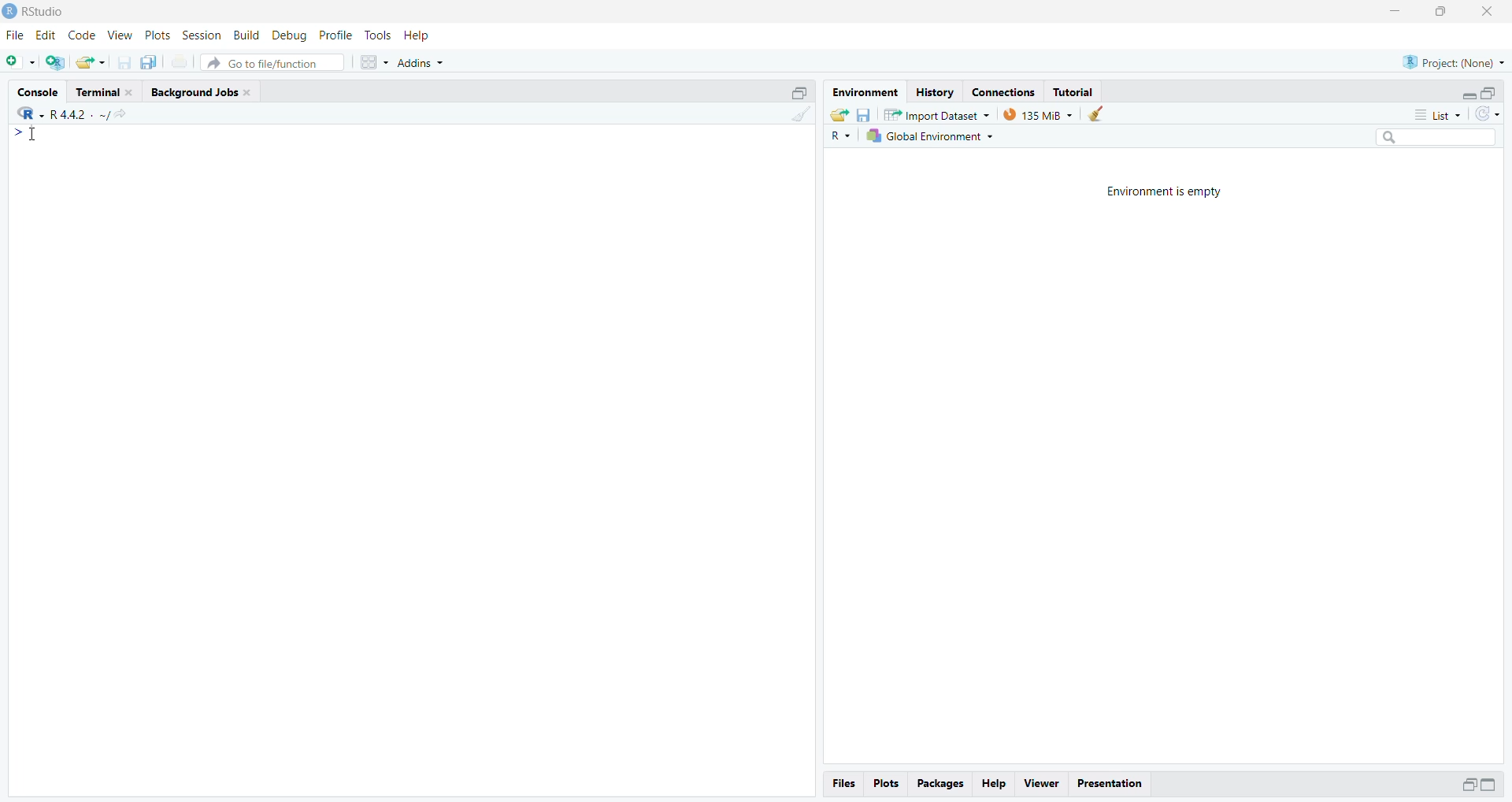 The height and width of the screenshot is (802, 1512). Describe the element at coordinates (1114, 782) in the screenshot. I see `Presentation` at that location.